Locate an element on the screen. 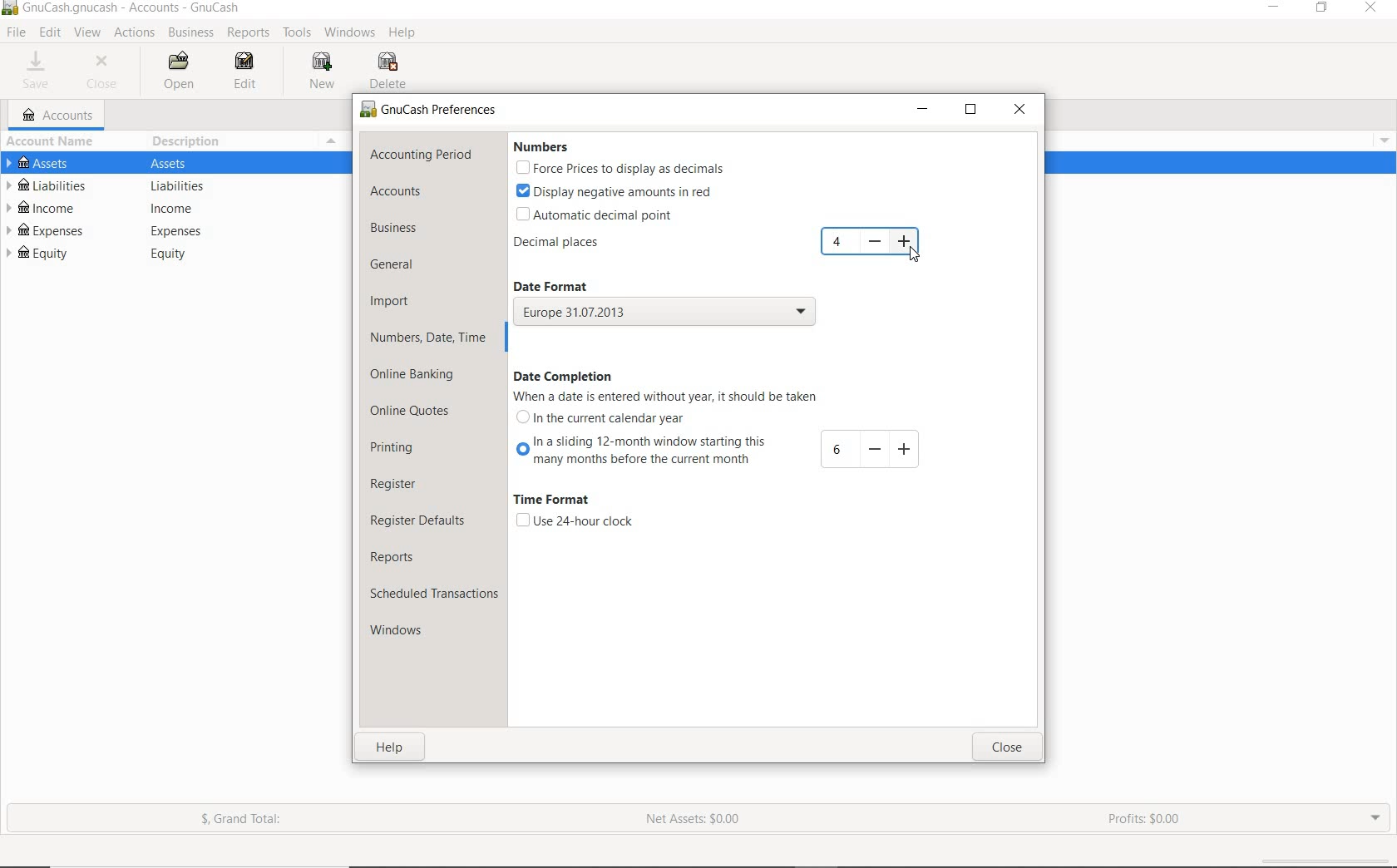 This screenshot has width=1397, height=868. register defaults is located at coordinates (422, 521).